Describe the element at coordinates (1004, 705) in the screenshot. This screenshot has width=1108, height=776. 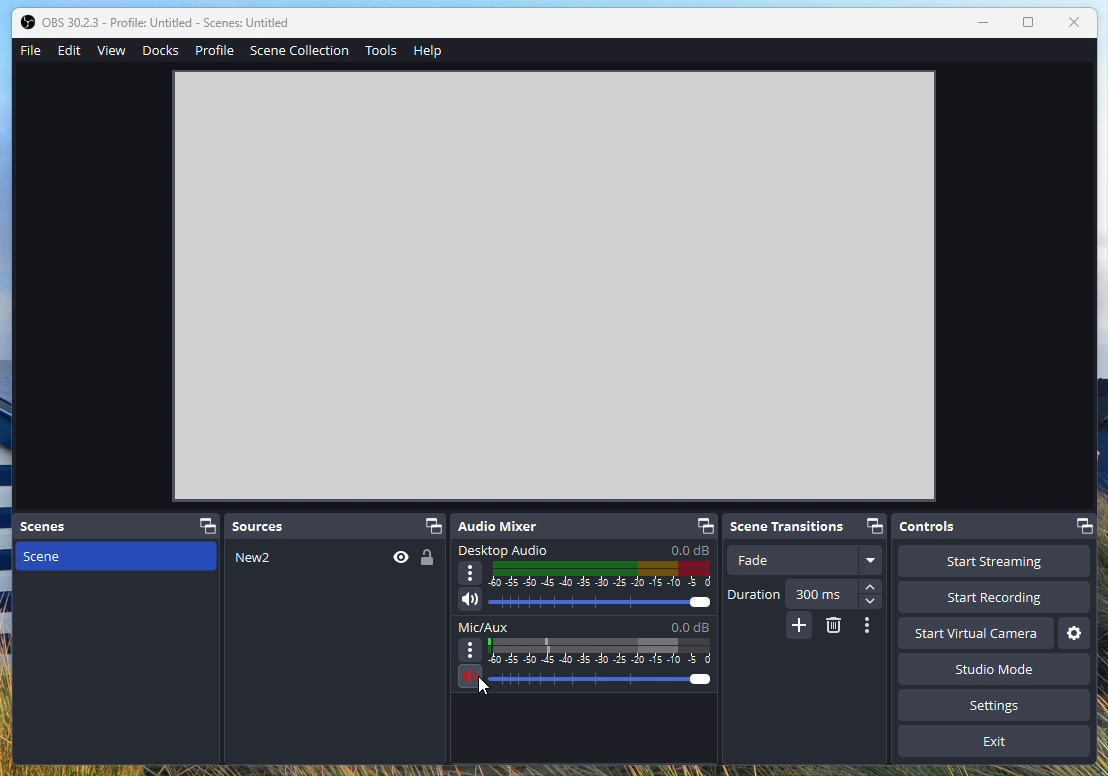
I see `Settinhs` at that location.